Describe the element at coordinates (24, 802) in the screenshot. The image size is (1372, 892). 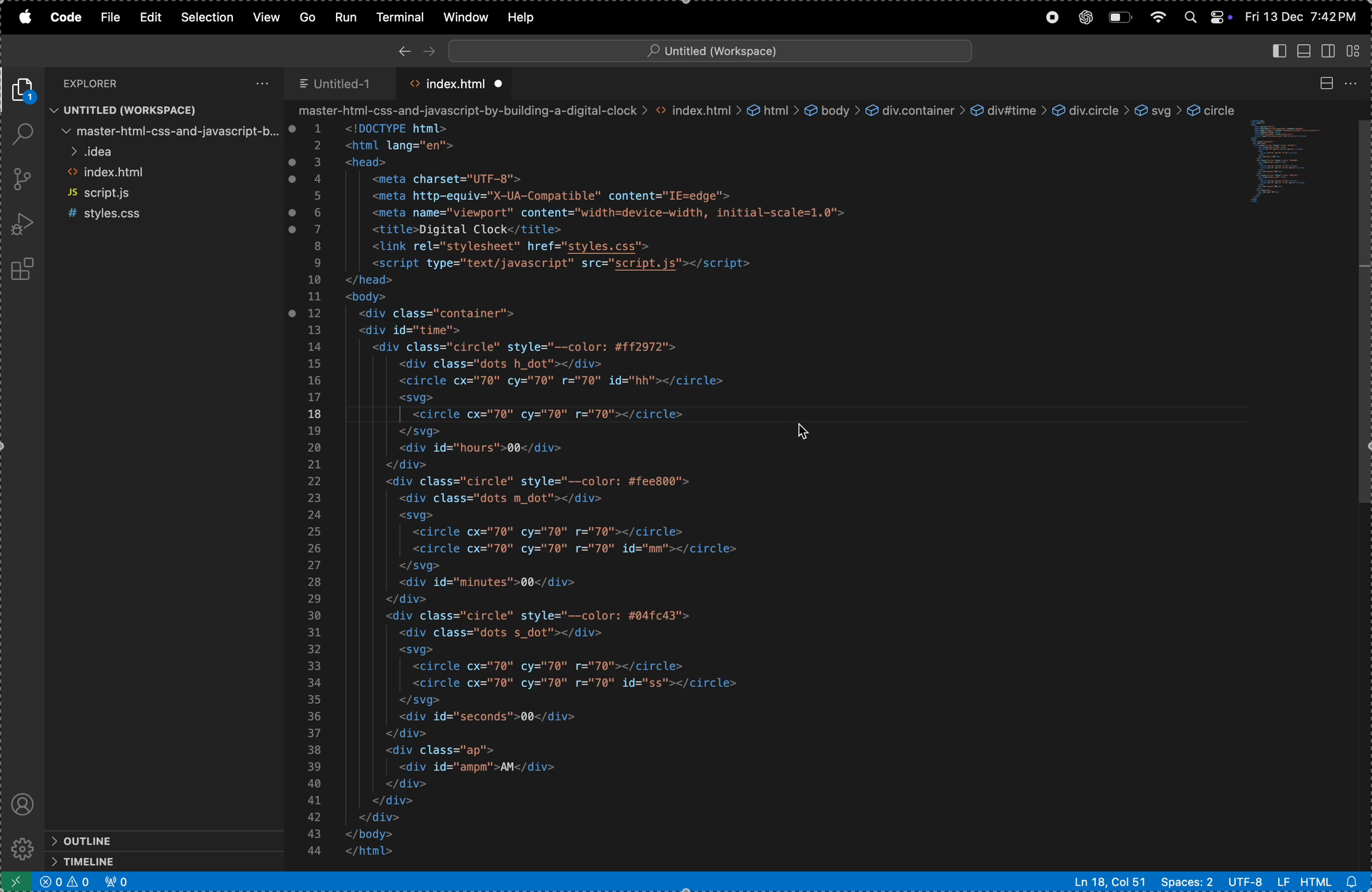
I see `profile` at that location.